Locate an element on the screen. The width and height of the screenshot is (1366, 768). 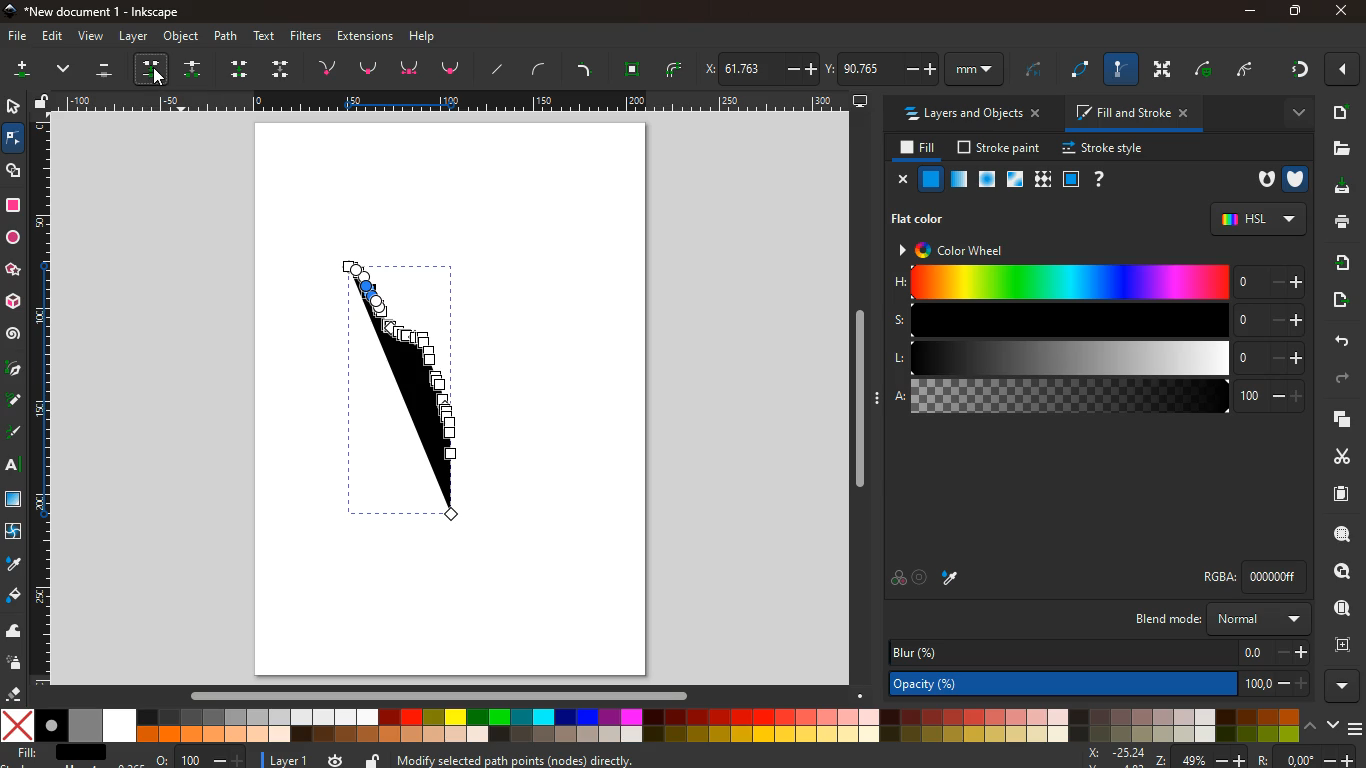
back is located at coordinates (1336, 340).